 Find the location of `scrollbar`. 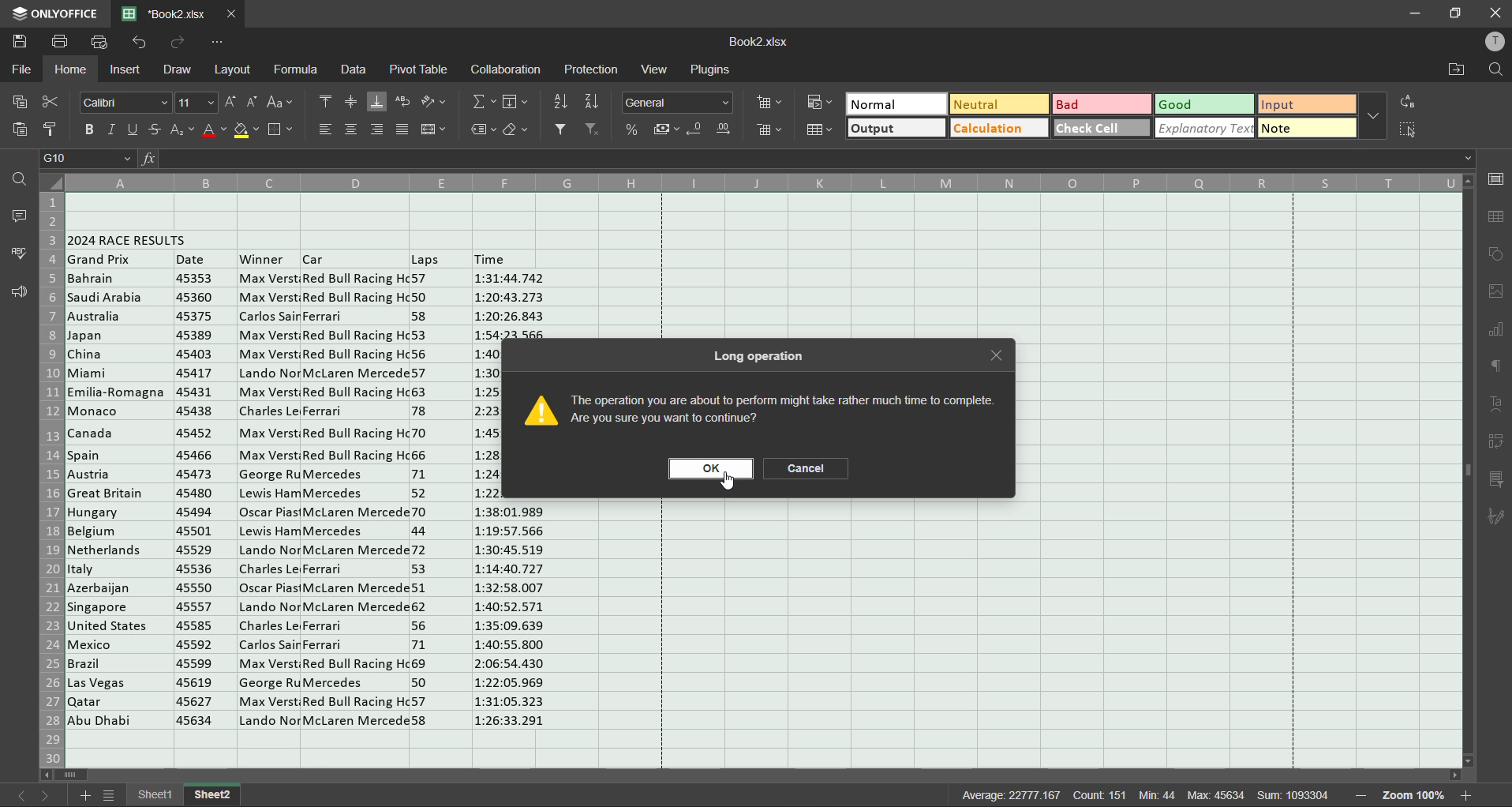

scrollbar is located at coordinates (767, 775).